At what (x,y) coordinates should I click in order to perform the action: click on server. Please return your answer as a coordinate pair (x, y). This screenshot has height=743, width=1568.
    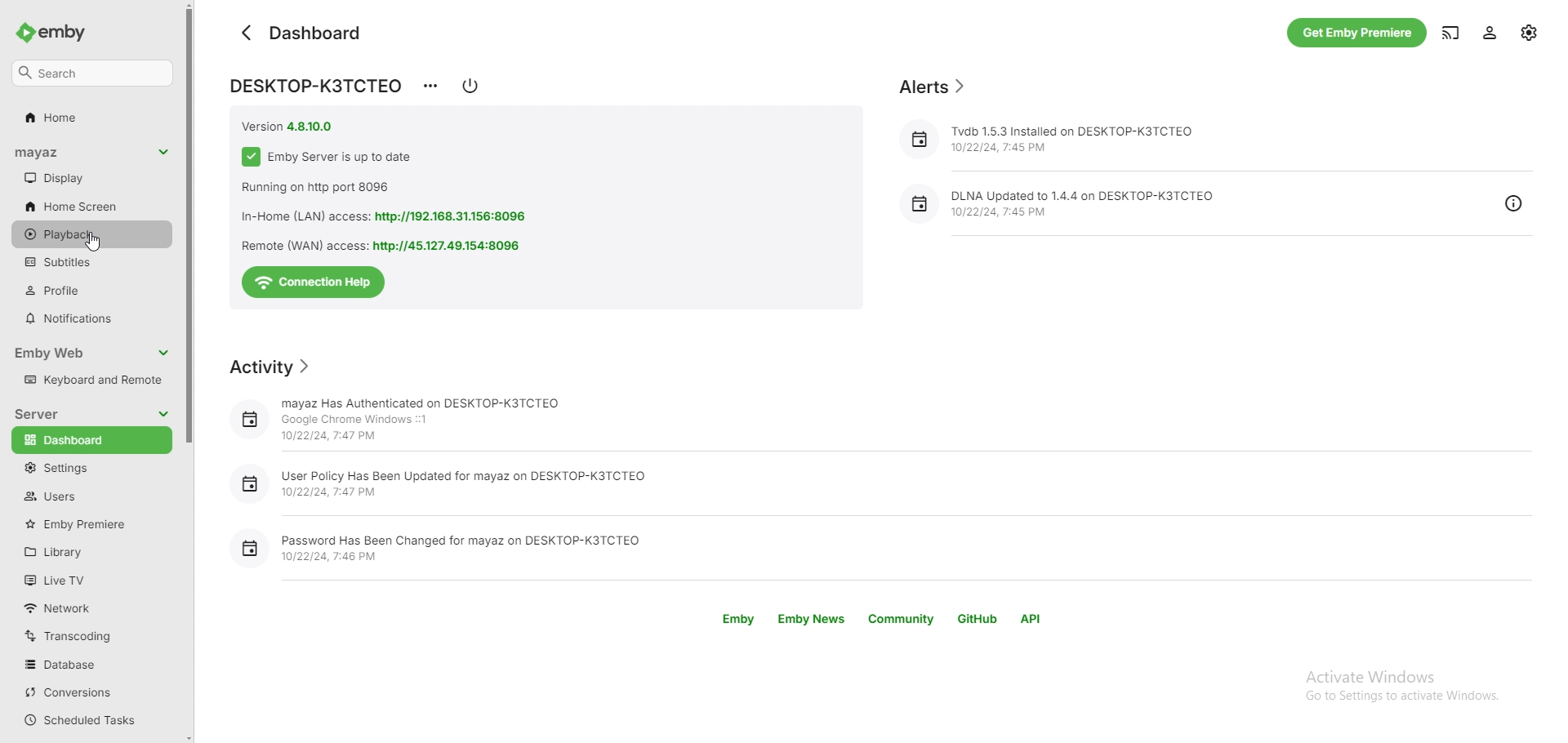
    Looking at the image, I should click on (49, 413).